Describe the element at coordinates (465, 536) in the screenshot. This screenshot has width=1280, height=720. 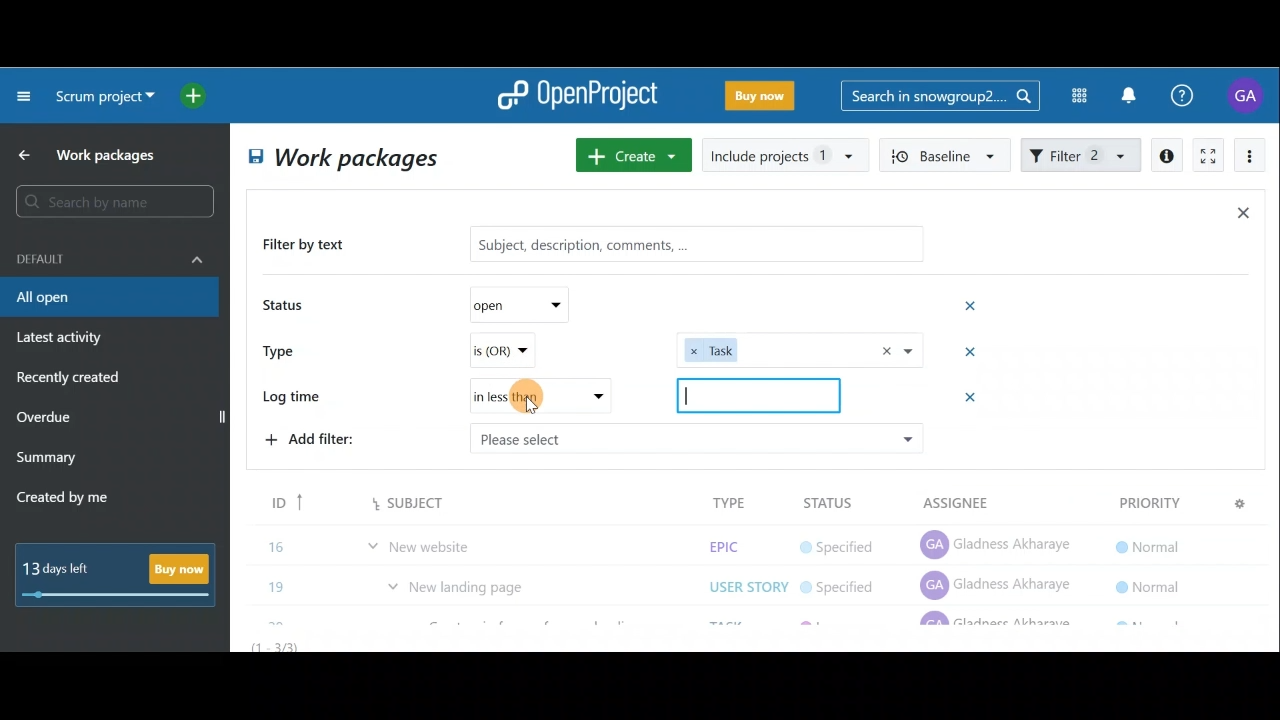
I see `Item 15` at that location.